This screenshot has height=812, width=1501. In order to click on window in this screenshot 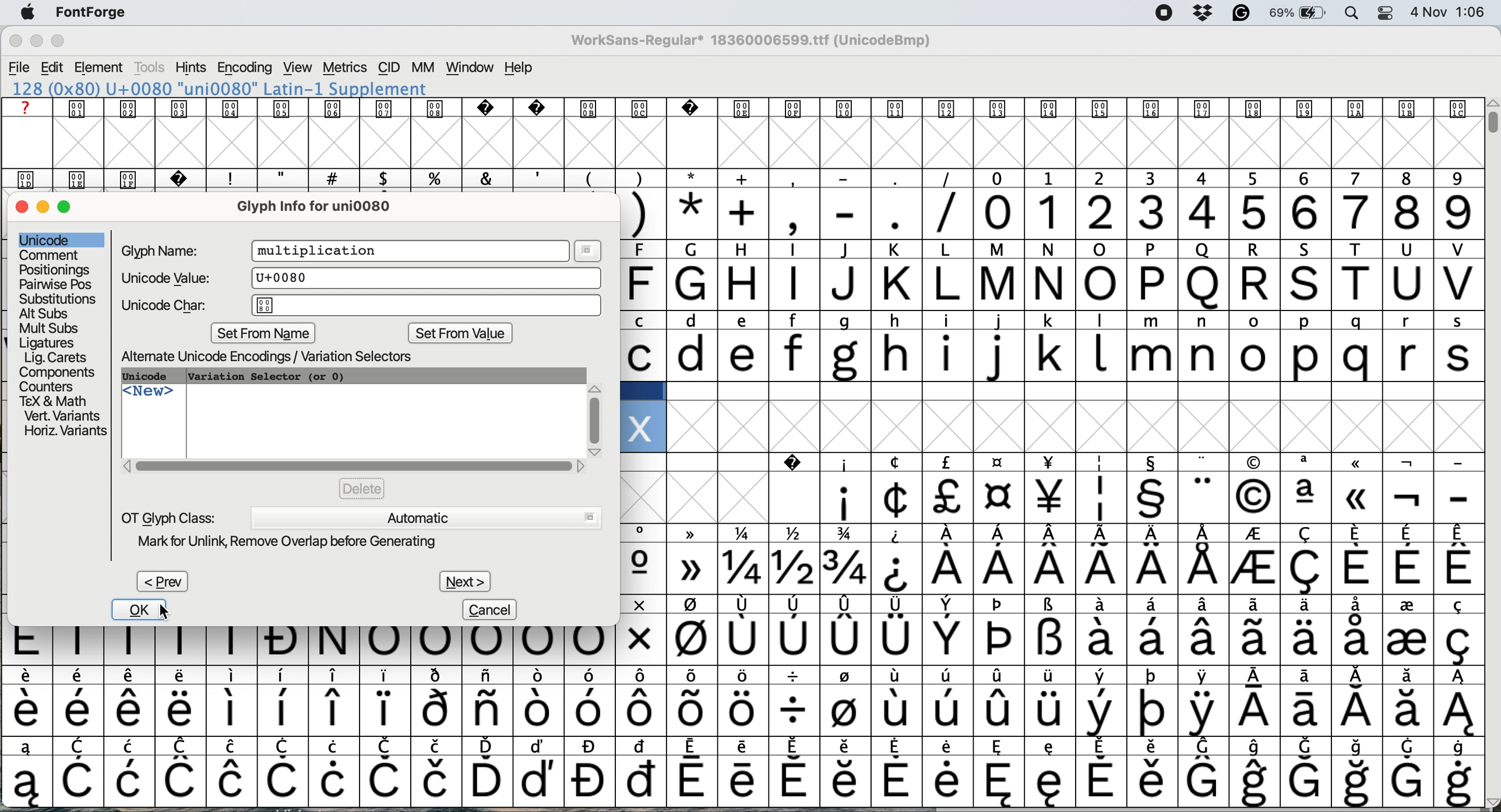, I will do `click(469, 68)`.